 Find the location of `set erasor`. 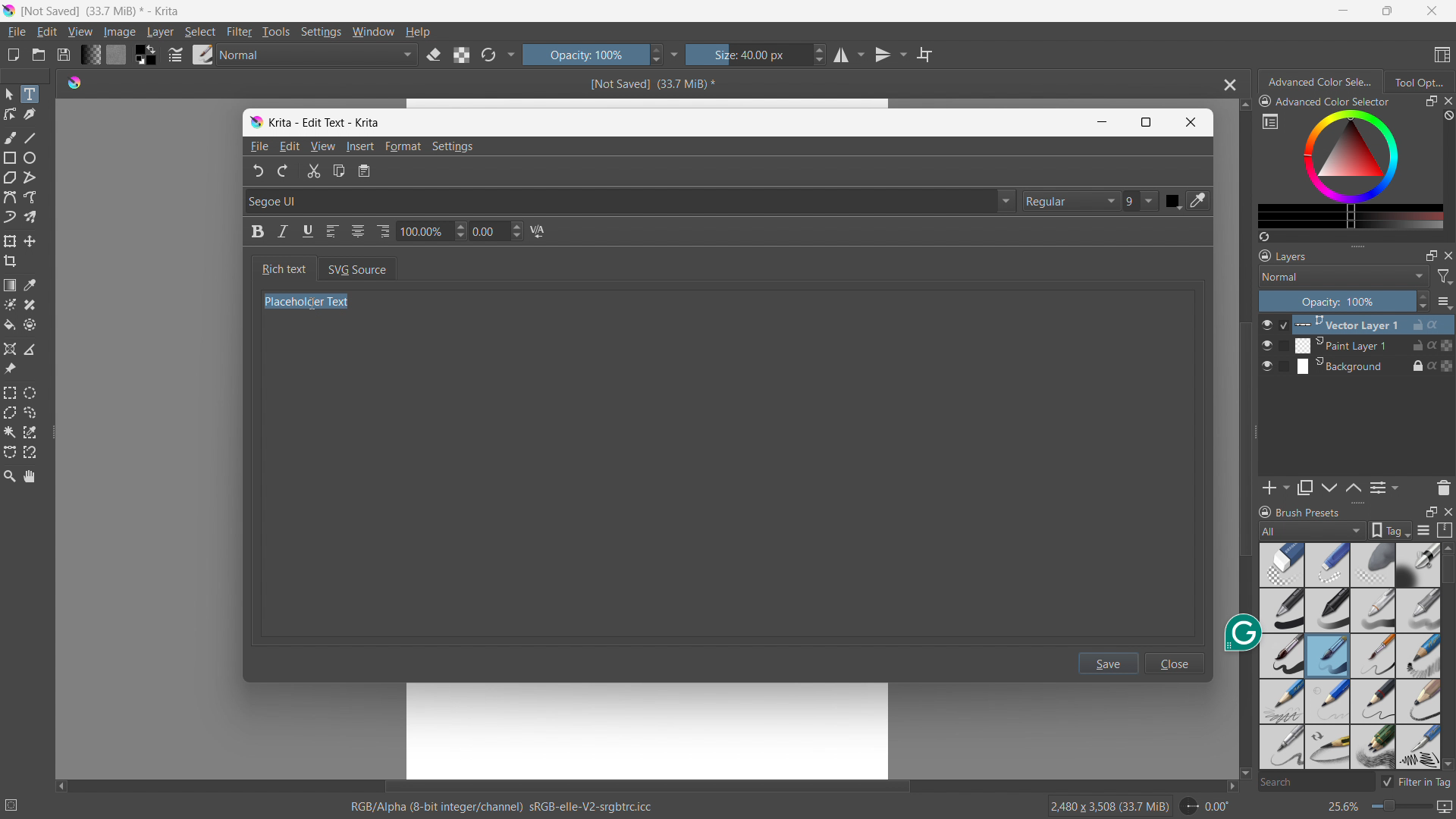

set erasor is located at coordinates (433, 55).